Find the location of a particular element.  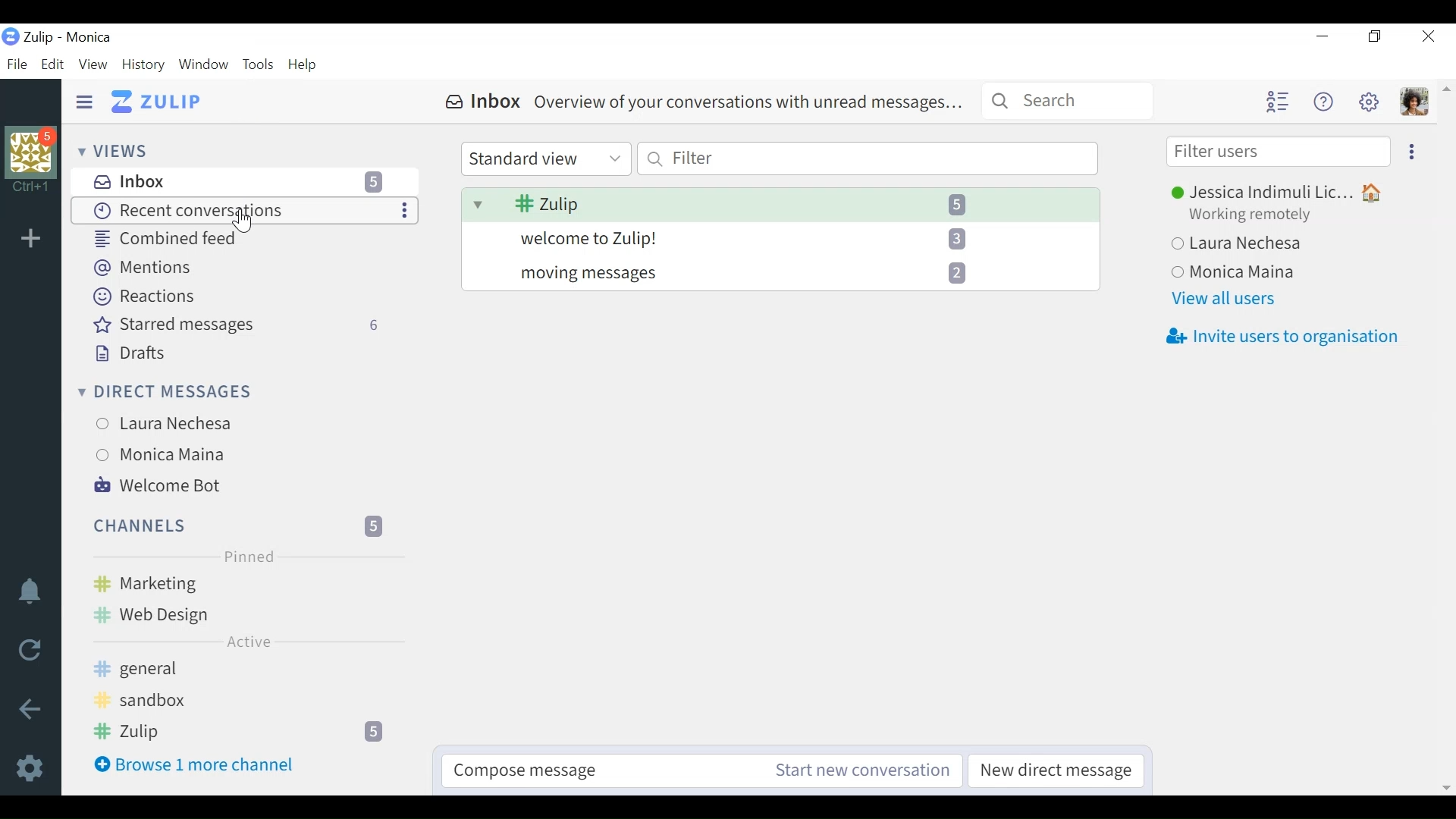

Pinned is located at coordinates (249, 556).